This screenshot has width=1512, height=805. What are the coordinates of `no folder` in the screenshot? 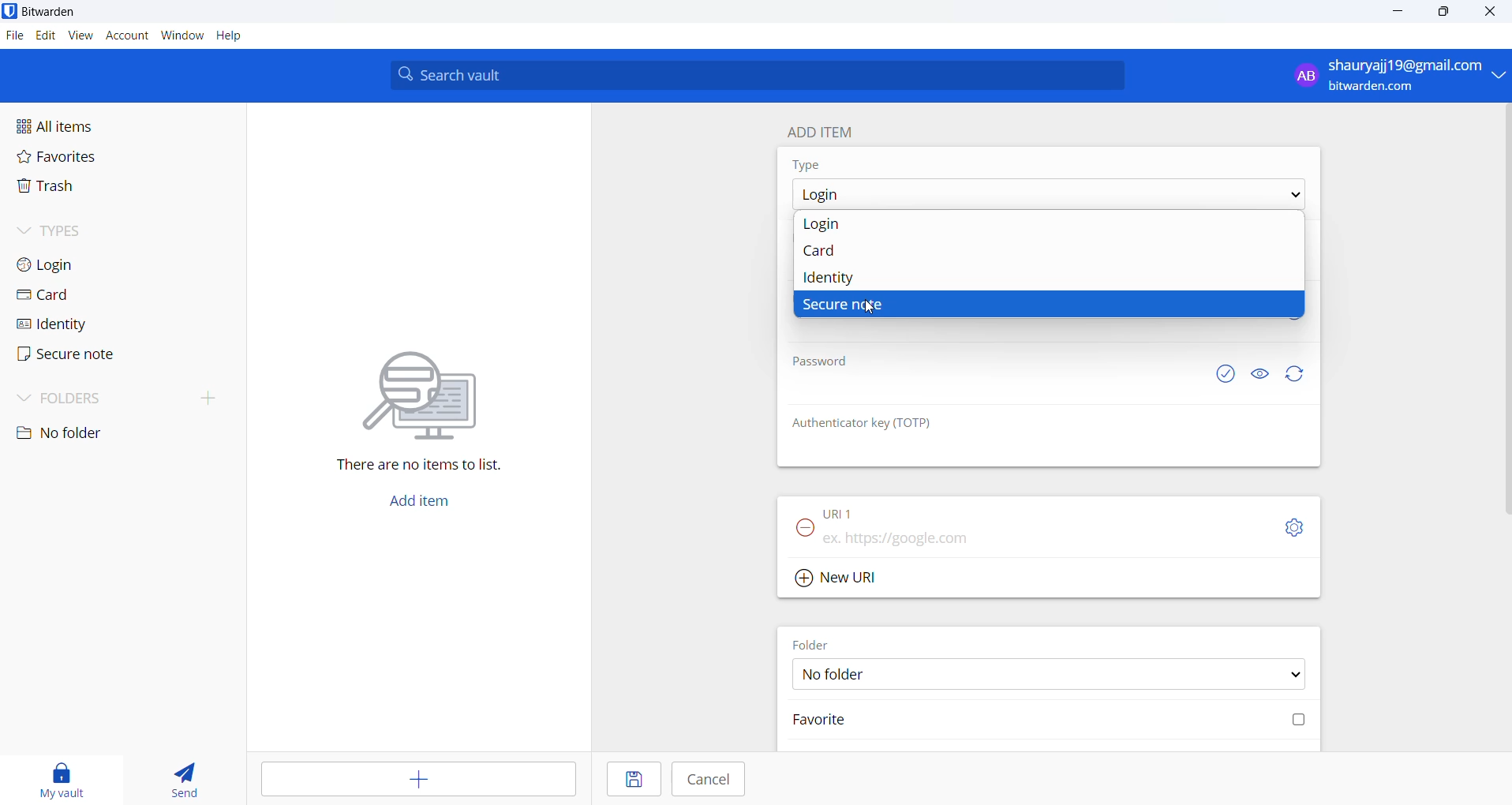 It's located at (93, 434).